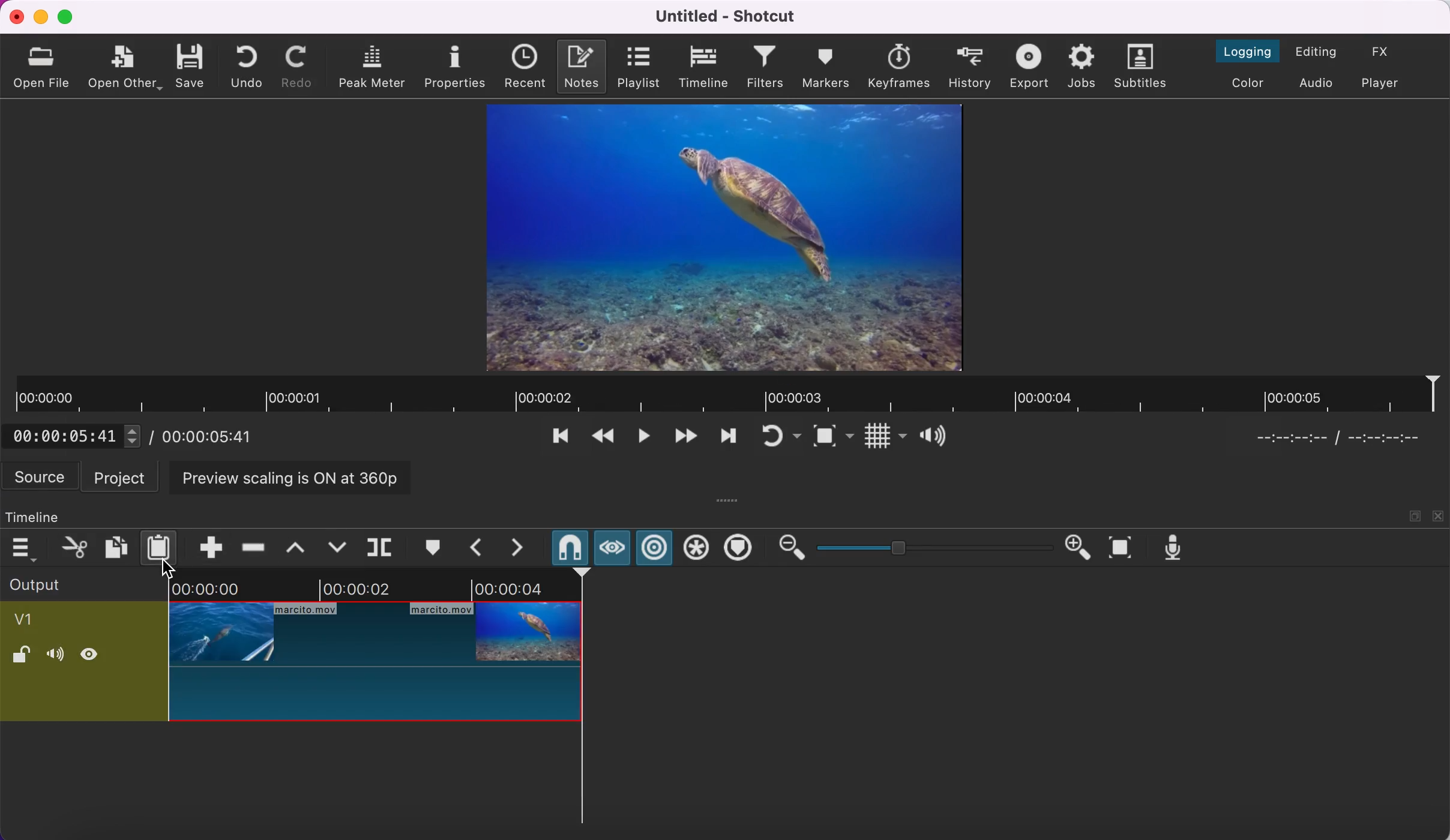  I want to click on cropped clip duration, so click(725, 395).